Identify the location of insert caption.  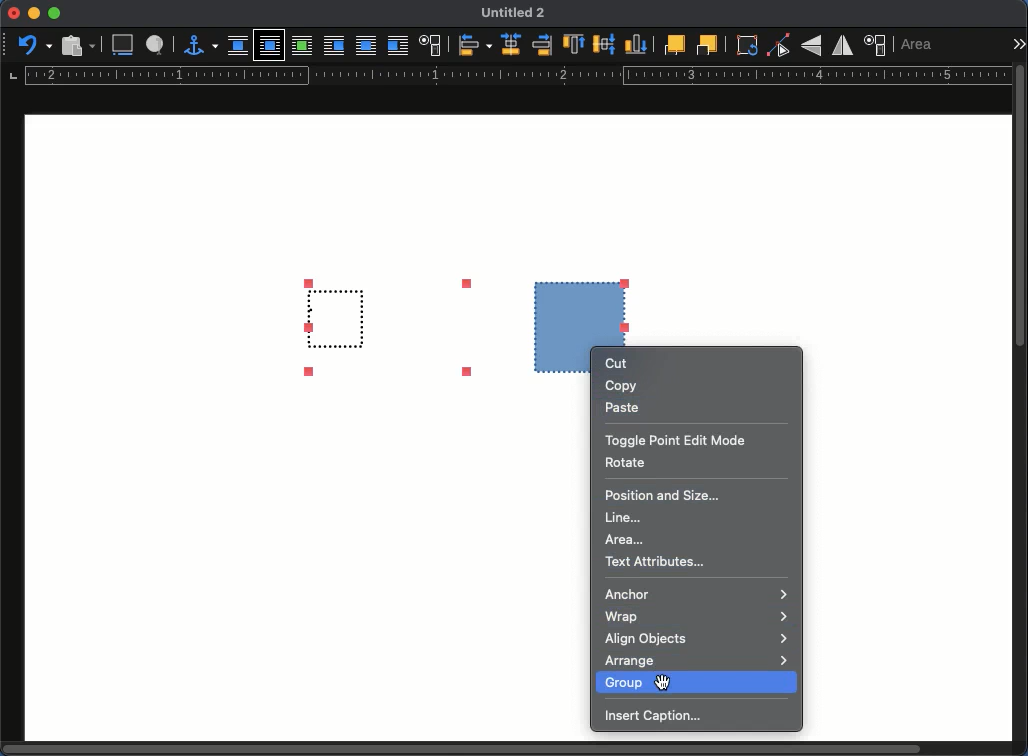
(123, 45).